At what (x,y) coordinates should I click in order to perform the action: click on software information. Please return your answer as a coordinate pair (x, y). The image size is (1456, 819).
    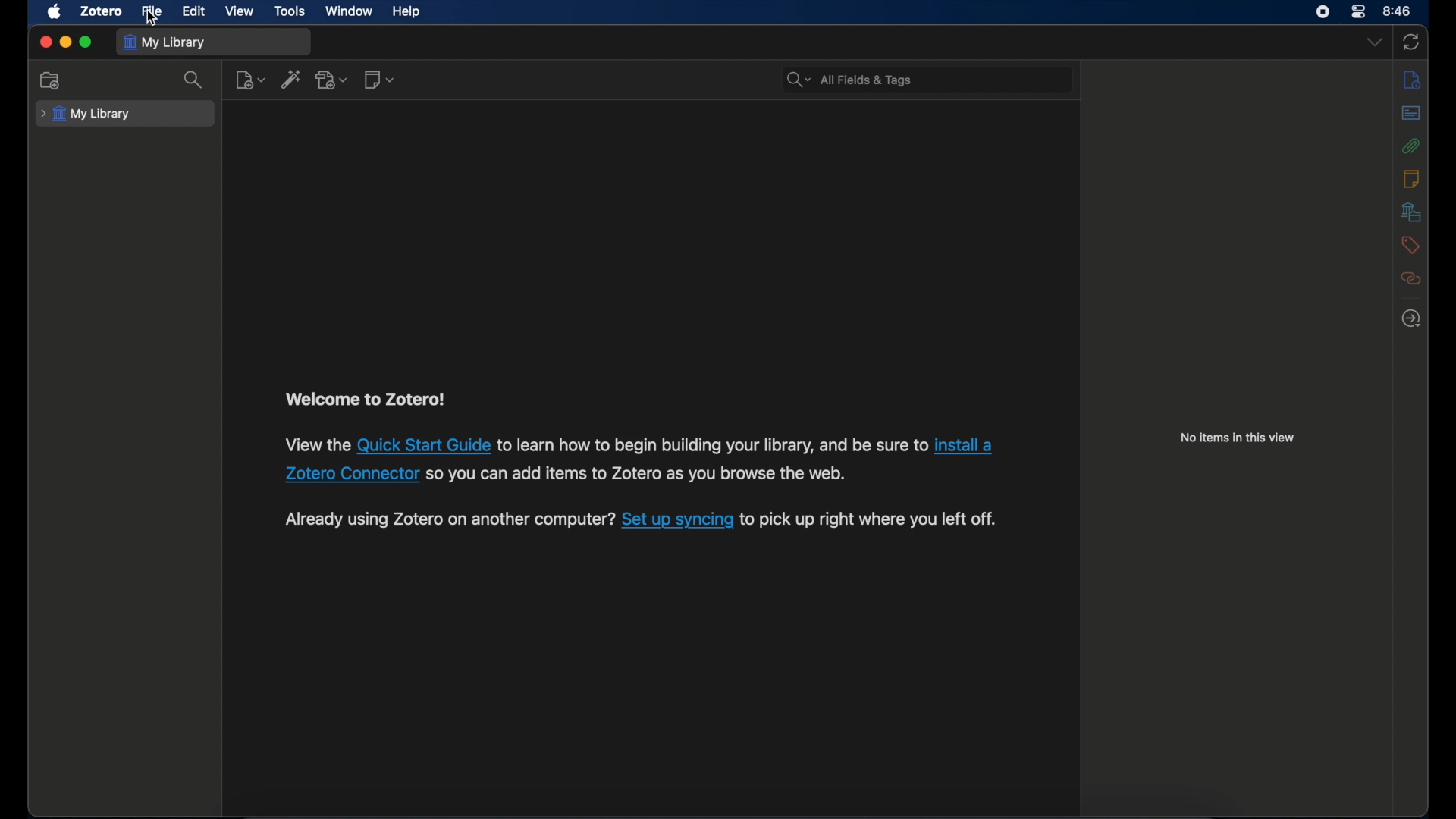
    Looking at the image, I should click on (874, 521).